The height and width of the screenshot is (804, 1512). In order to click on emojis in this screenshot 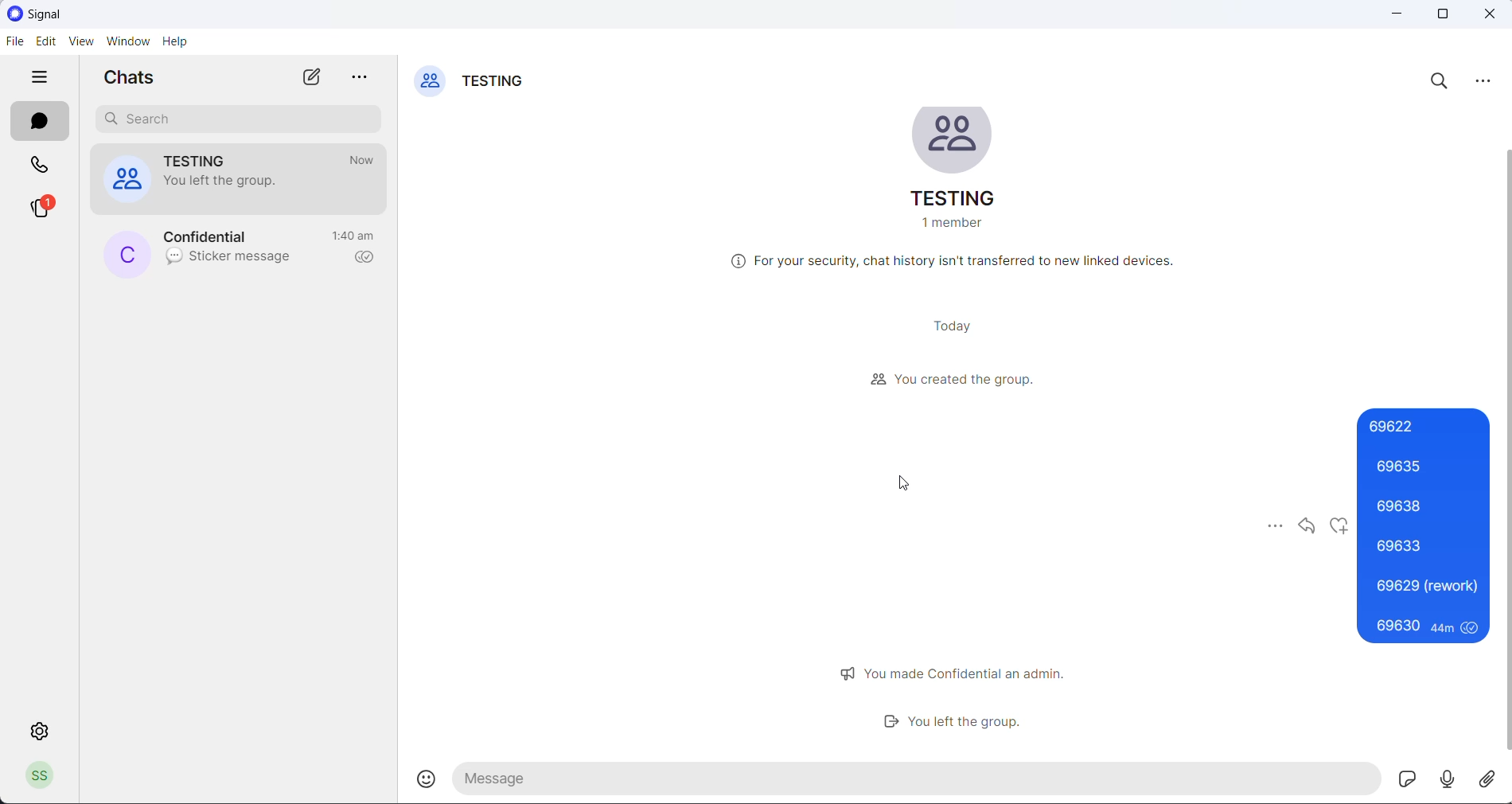, I will do `click(431, 779)`.